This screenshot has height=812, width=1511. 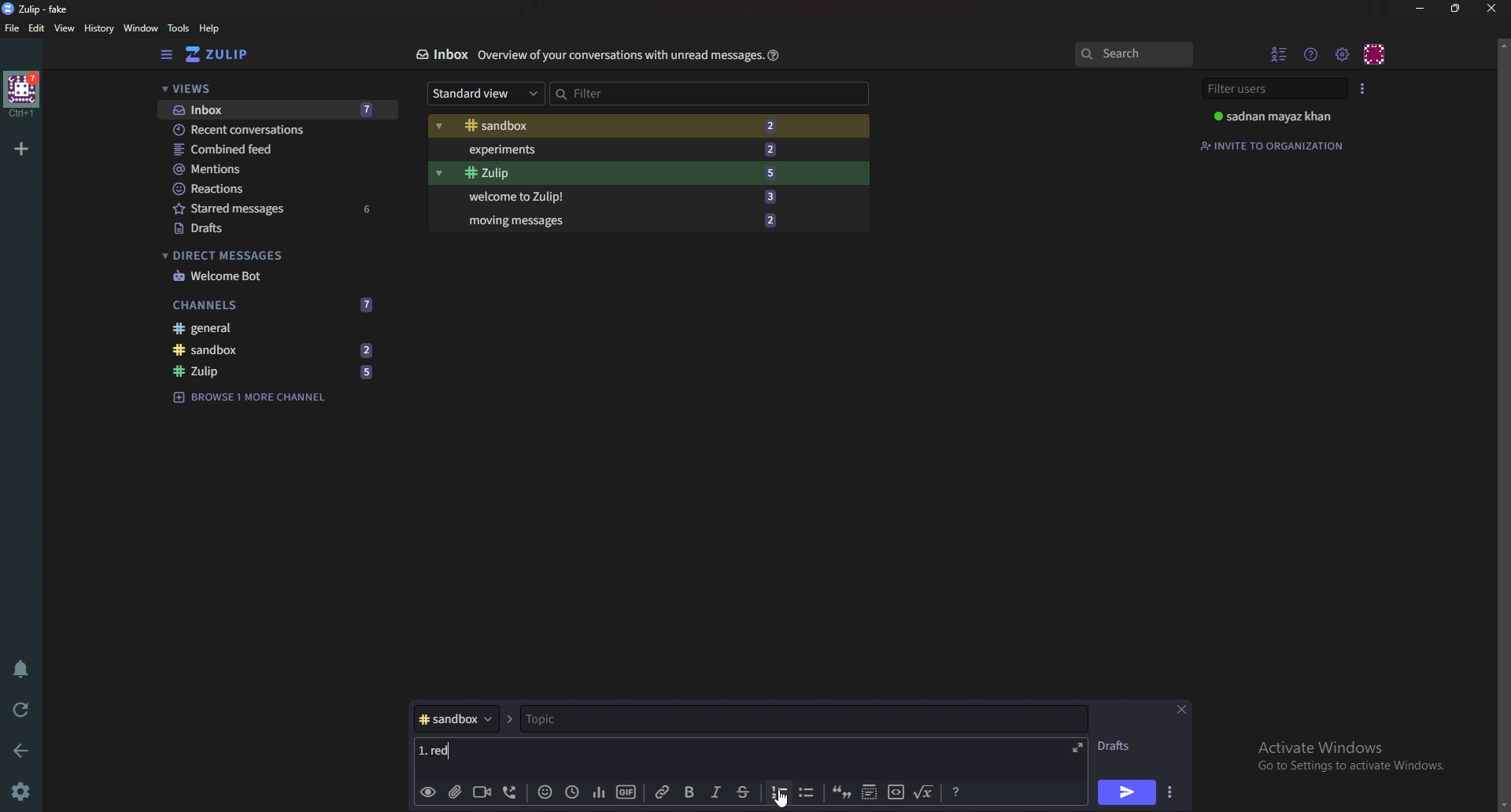 What do you see at coordinates (428, 792) in the screenshot?
I see `Preview` at bounding box center [428, 792].